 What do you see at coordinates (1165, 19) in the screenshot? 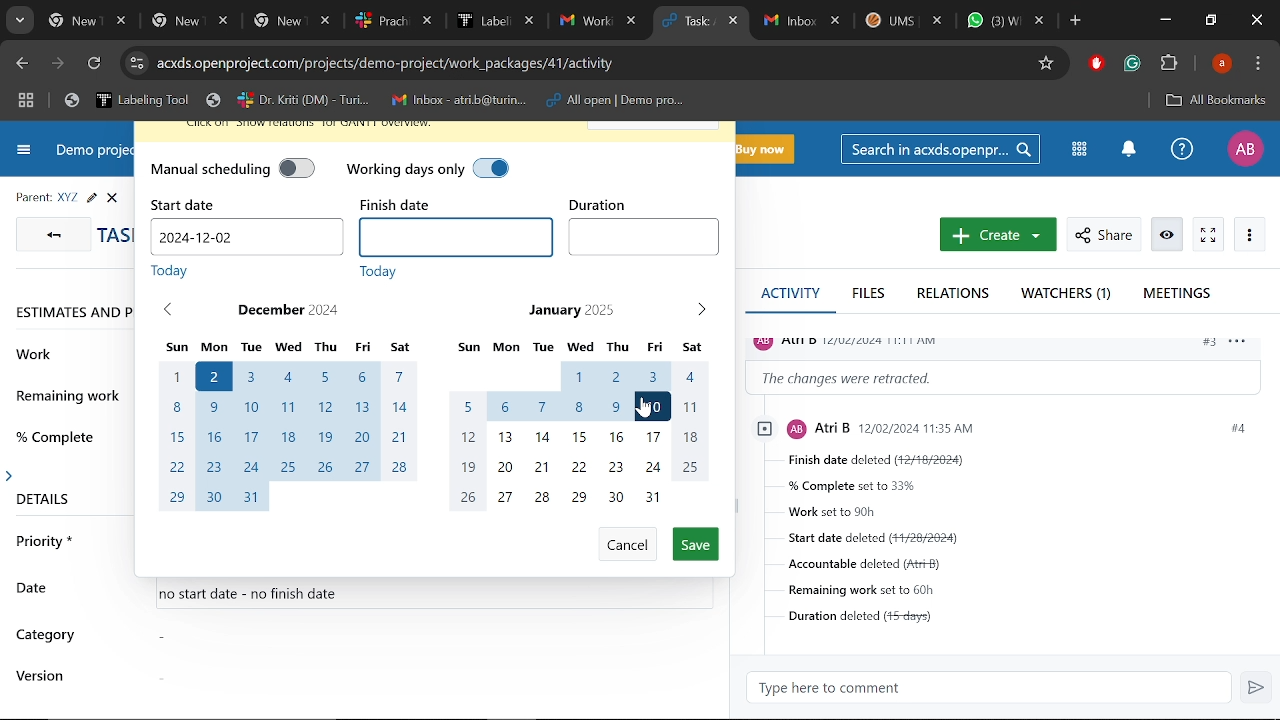
I see `Minimize` at bounding box center [1165, 19].